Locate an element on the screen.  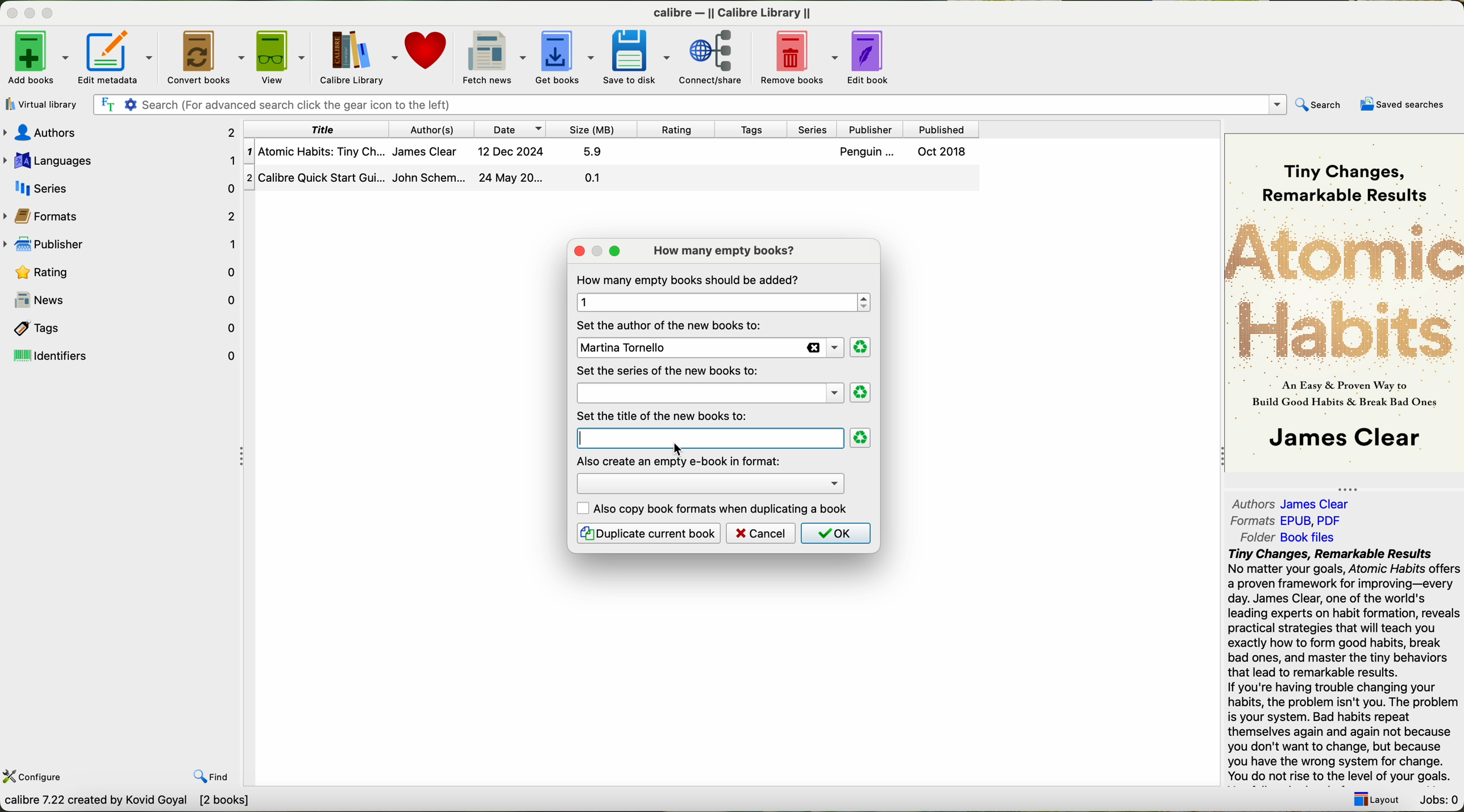
search is located at coordinates (1321, 103).